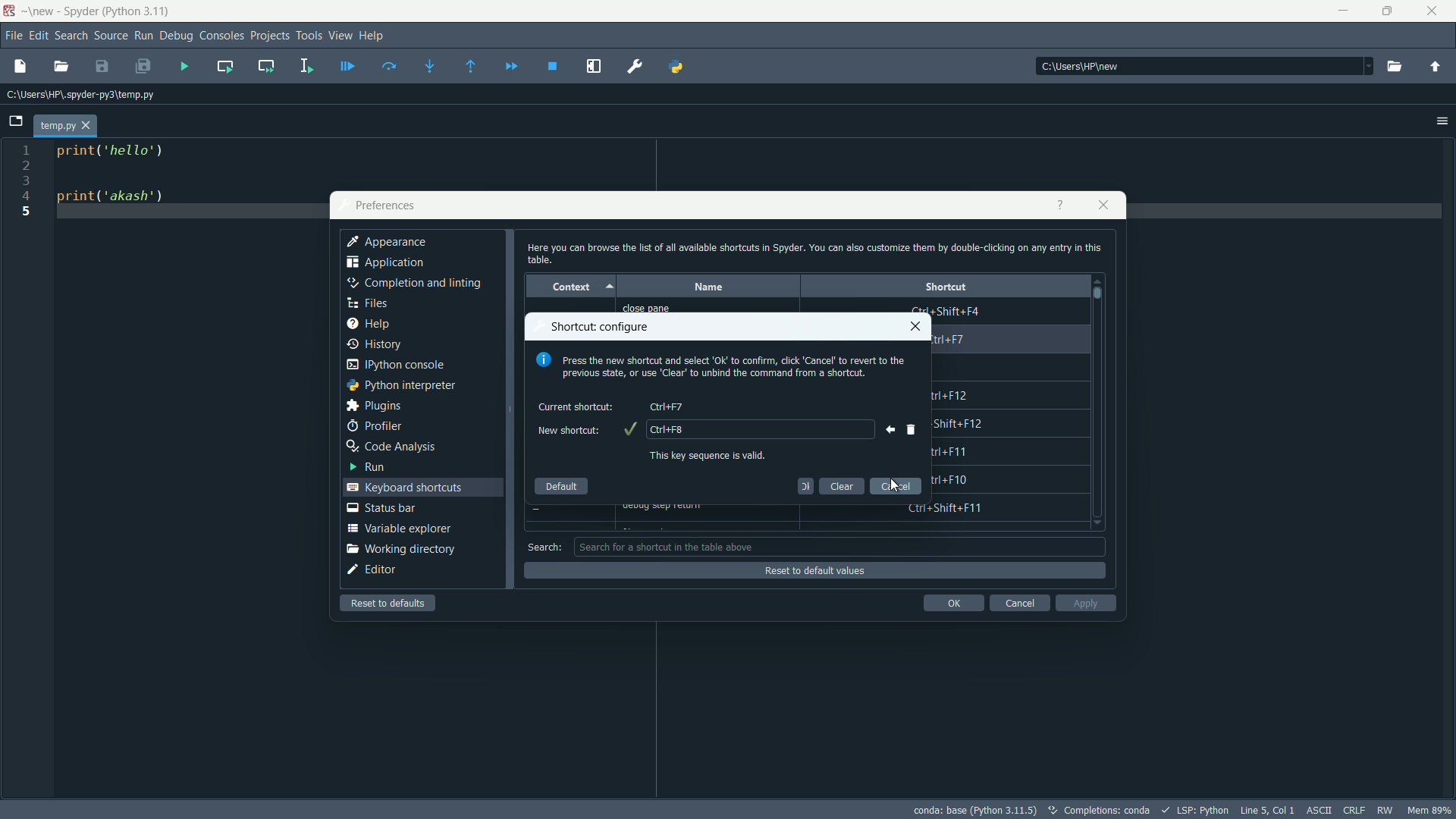 This screenshot has width=1456, height=819. What do you see at coordinates (413, 284) in the screenshot?
I see `` at bounding box center [413, 284].